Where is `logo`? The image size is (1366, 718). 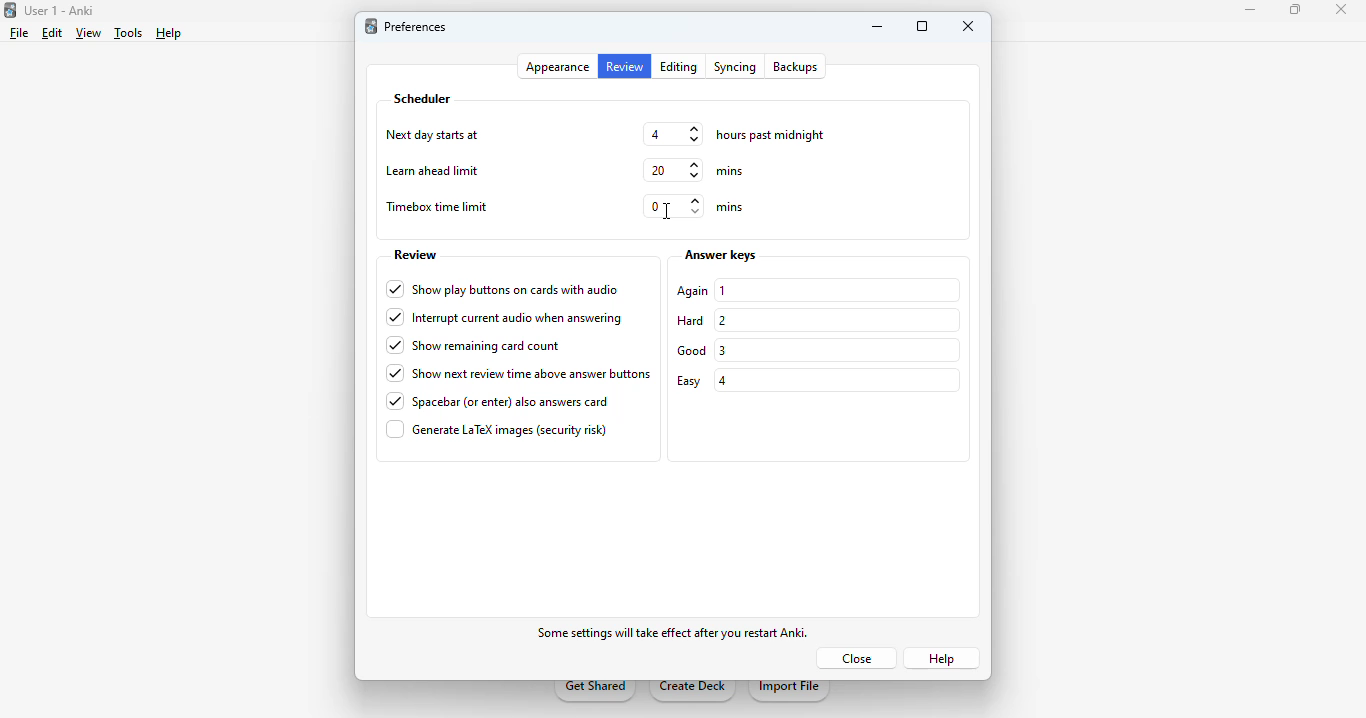
logo is located at coordinates (371, 26).